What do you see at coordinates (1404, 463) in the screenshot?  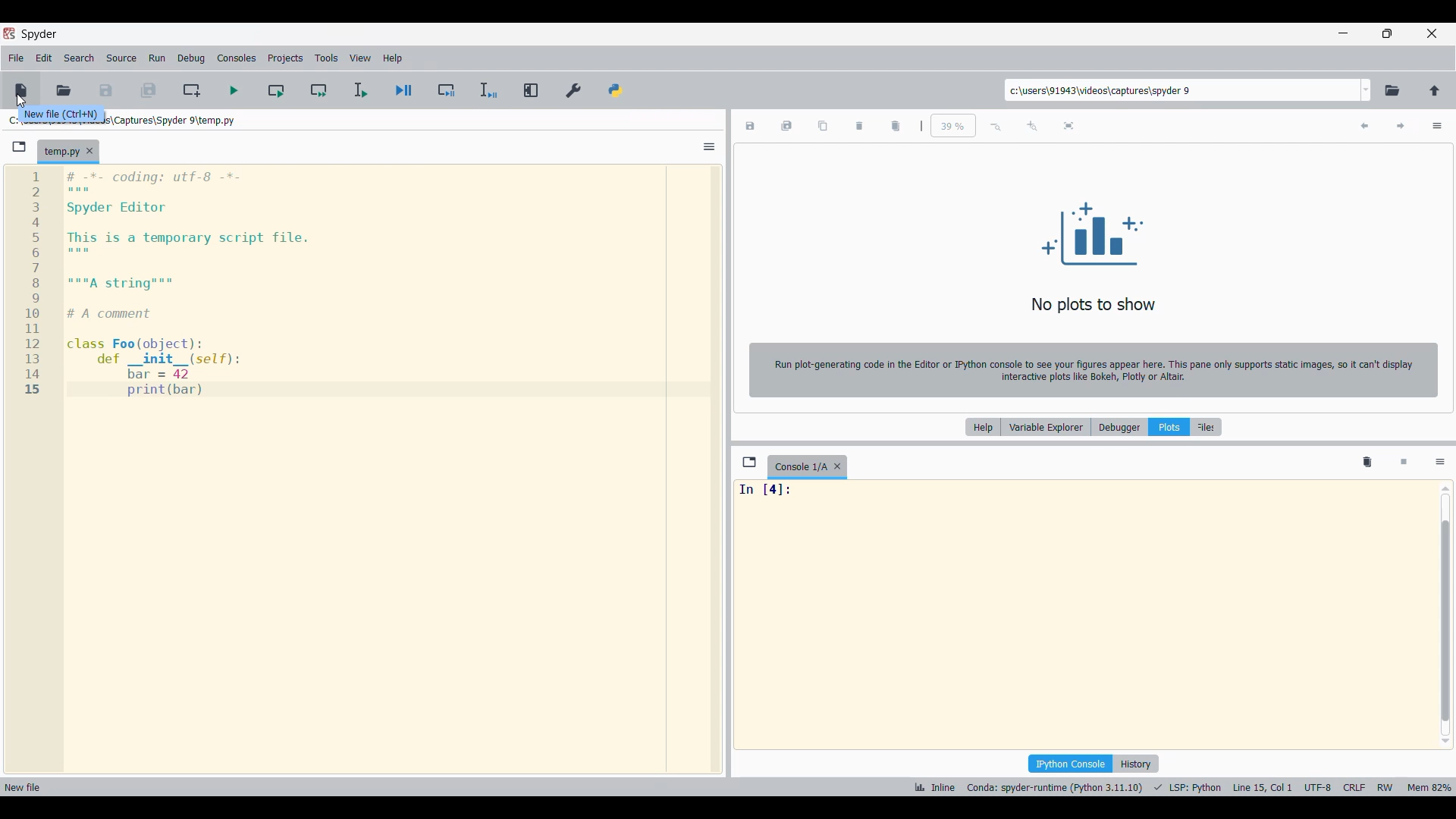 I see `Interrupt kernel` at bounding box center [1404, 463].